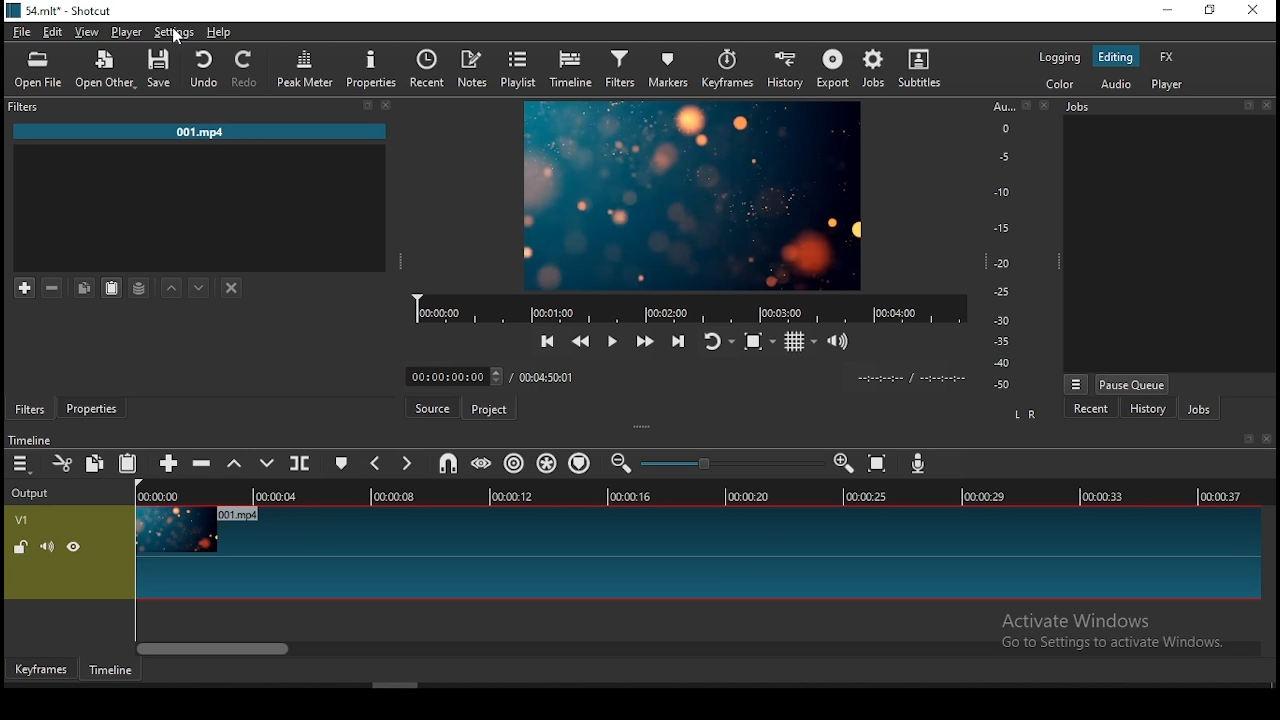  Describe the element at coordinates (801, 339) in the screenshot. I see `toggle grid display on the player` at that location.